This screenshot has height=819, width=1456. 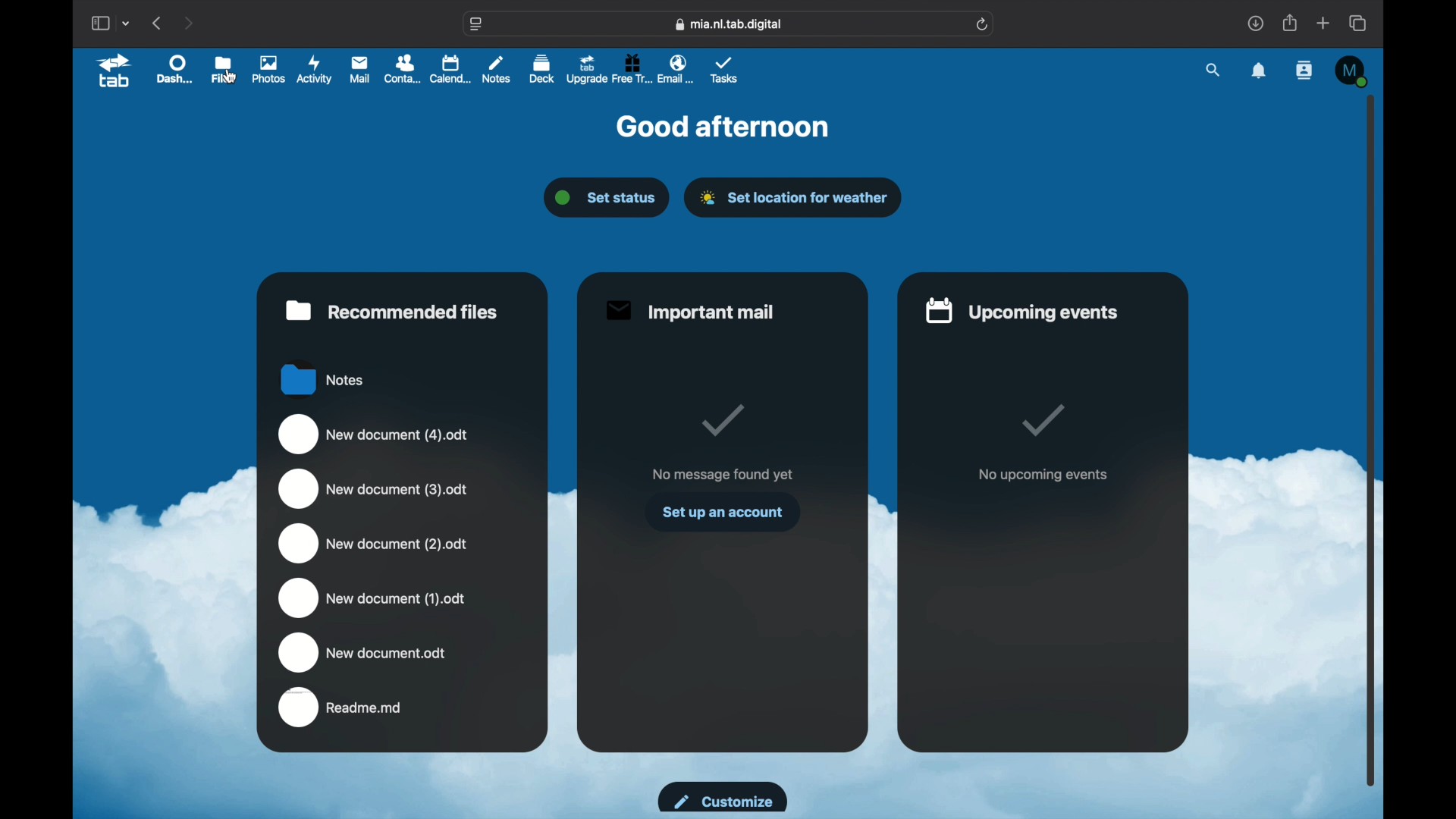 What do you see at coordinates (374, 598) in the screenshot?
I see `new document` at bounding box center [374, 598].